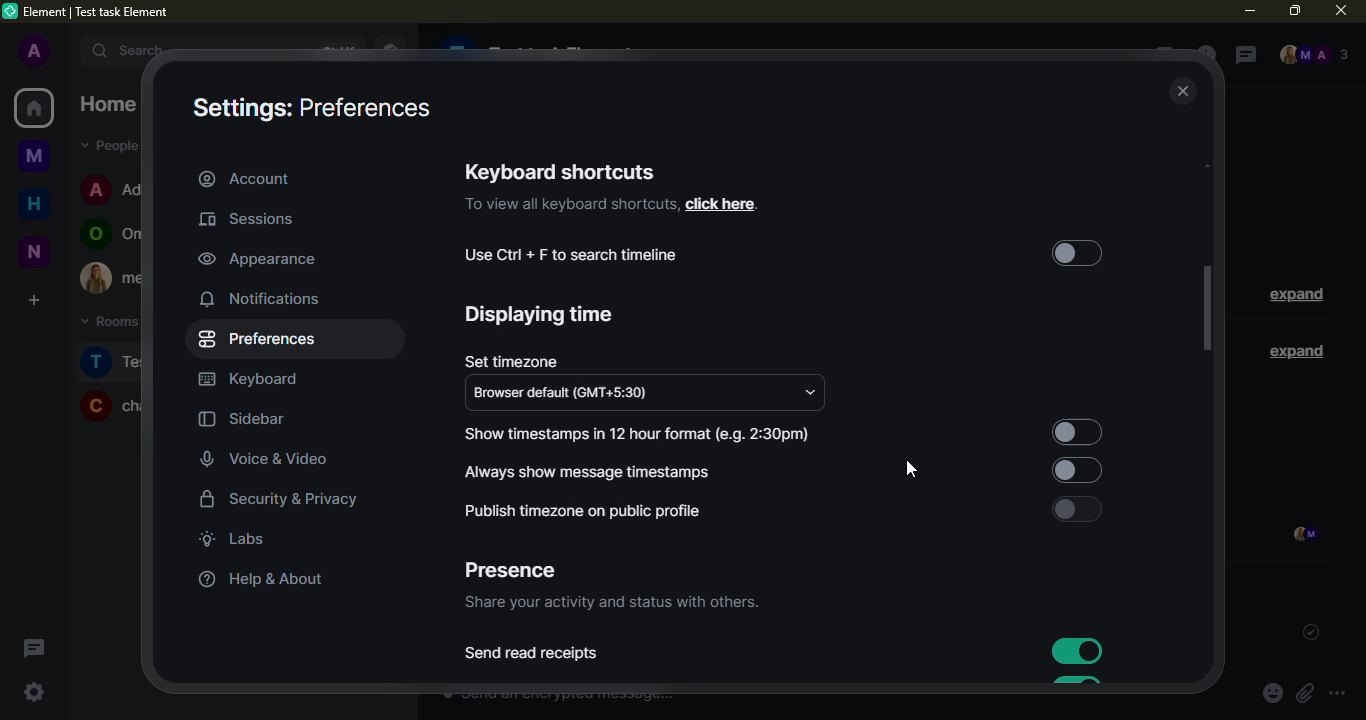 The image size is (1366, 720). I want to click on always show , so click(592, 471).